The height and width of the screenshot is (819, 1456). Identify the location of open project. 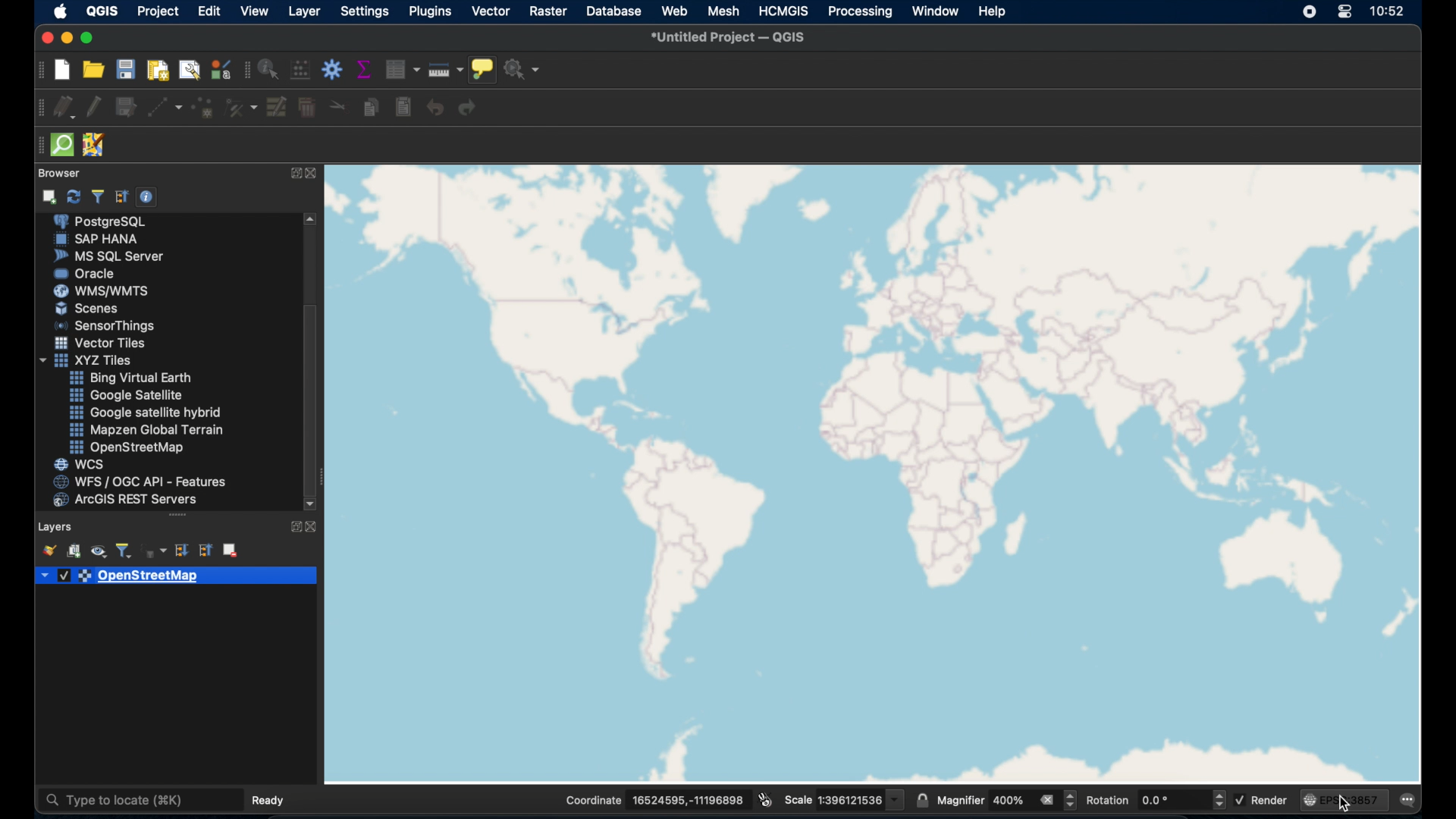
(92, 71).